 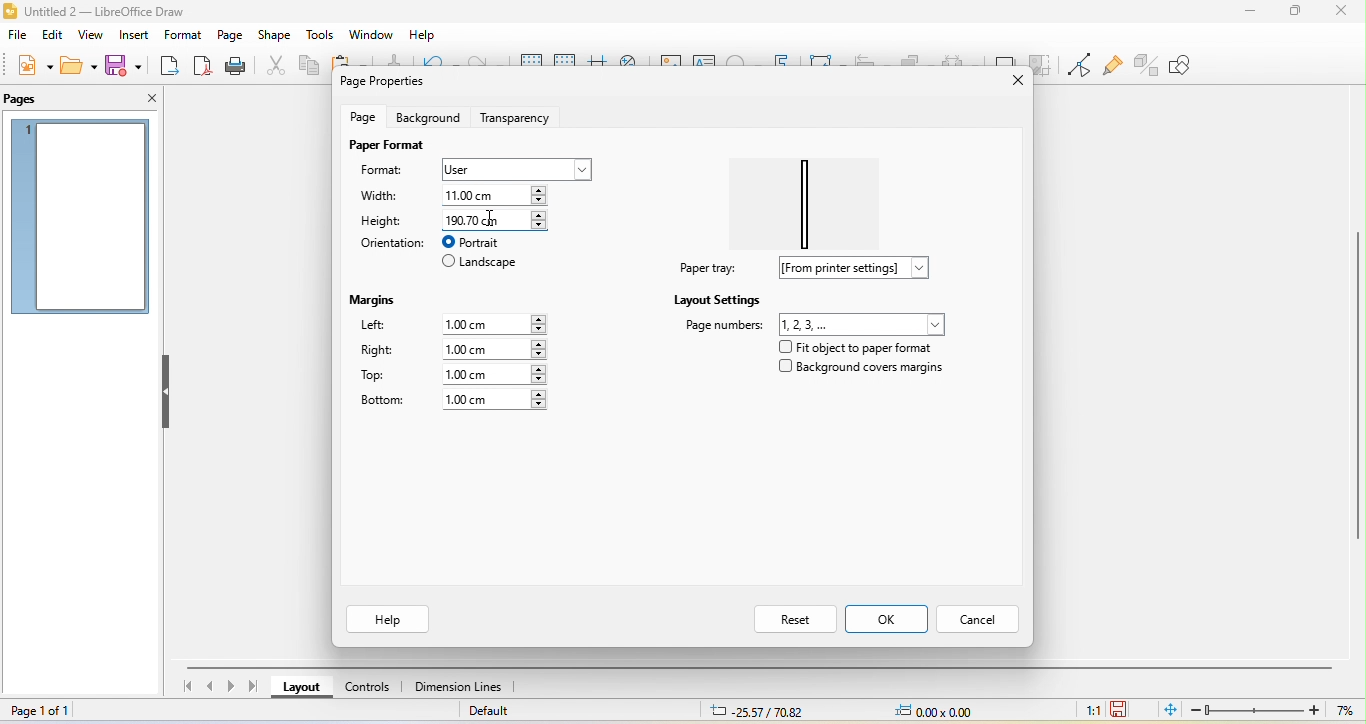 What do you see at coordinates (383, 220) in the screenshot?
I see `height` at bounding box center [383, 220].